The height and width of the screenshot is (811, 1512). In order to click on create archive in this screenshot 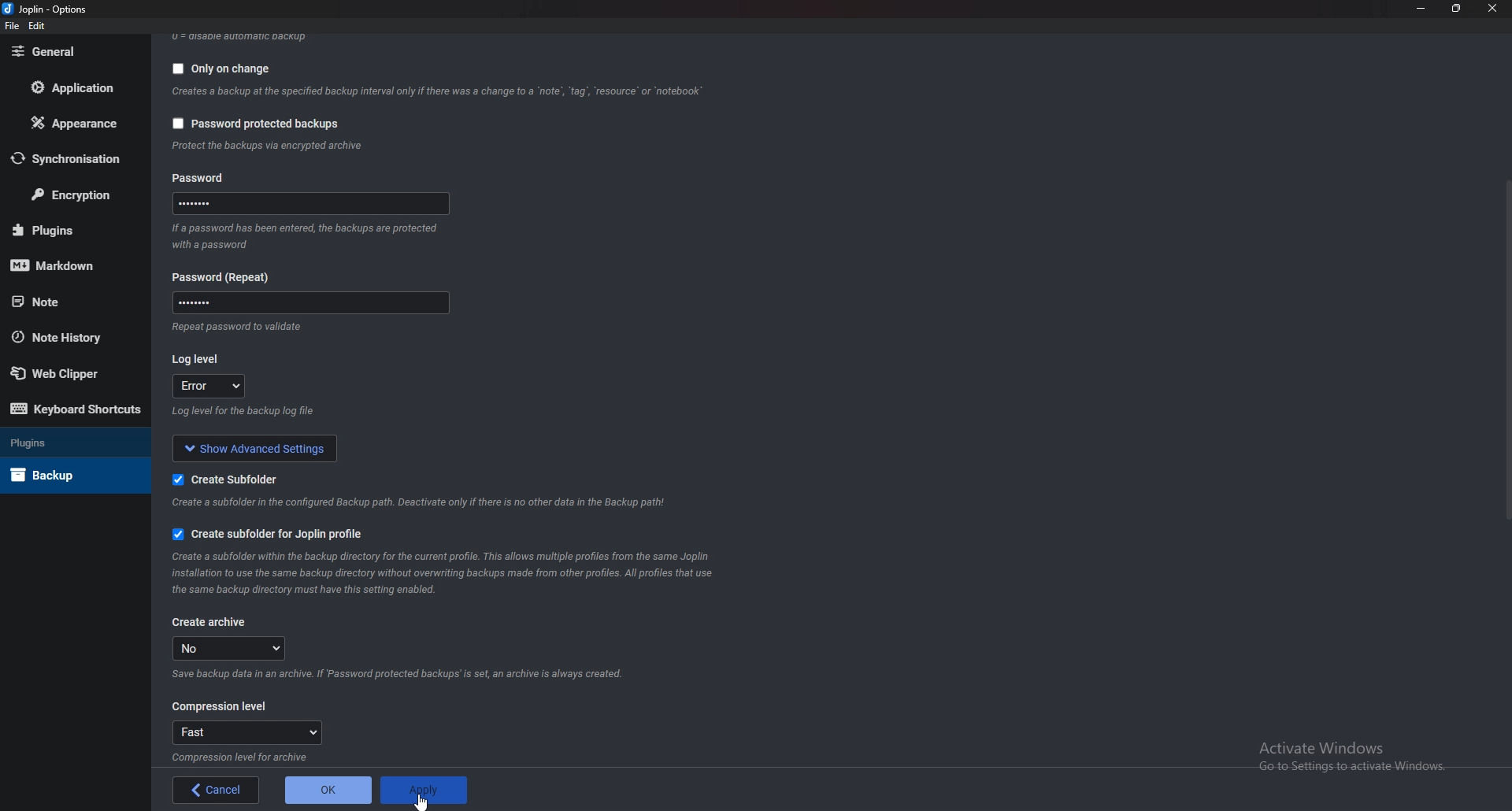, I will do `click(210, 625)`.